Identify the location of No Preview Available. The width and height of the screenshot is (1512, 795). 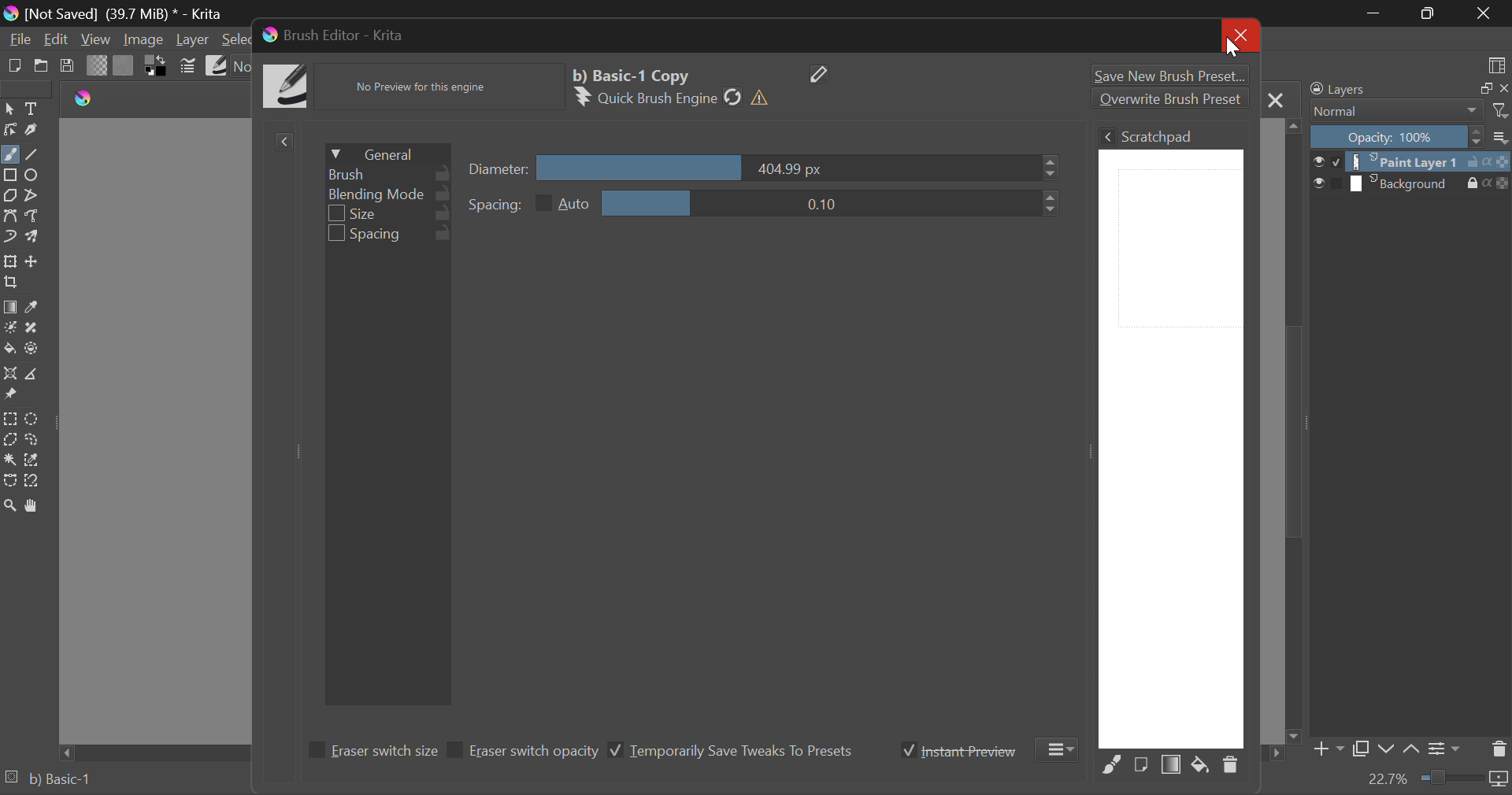
(425, 87).